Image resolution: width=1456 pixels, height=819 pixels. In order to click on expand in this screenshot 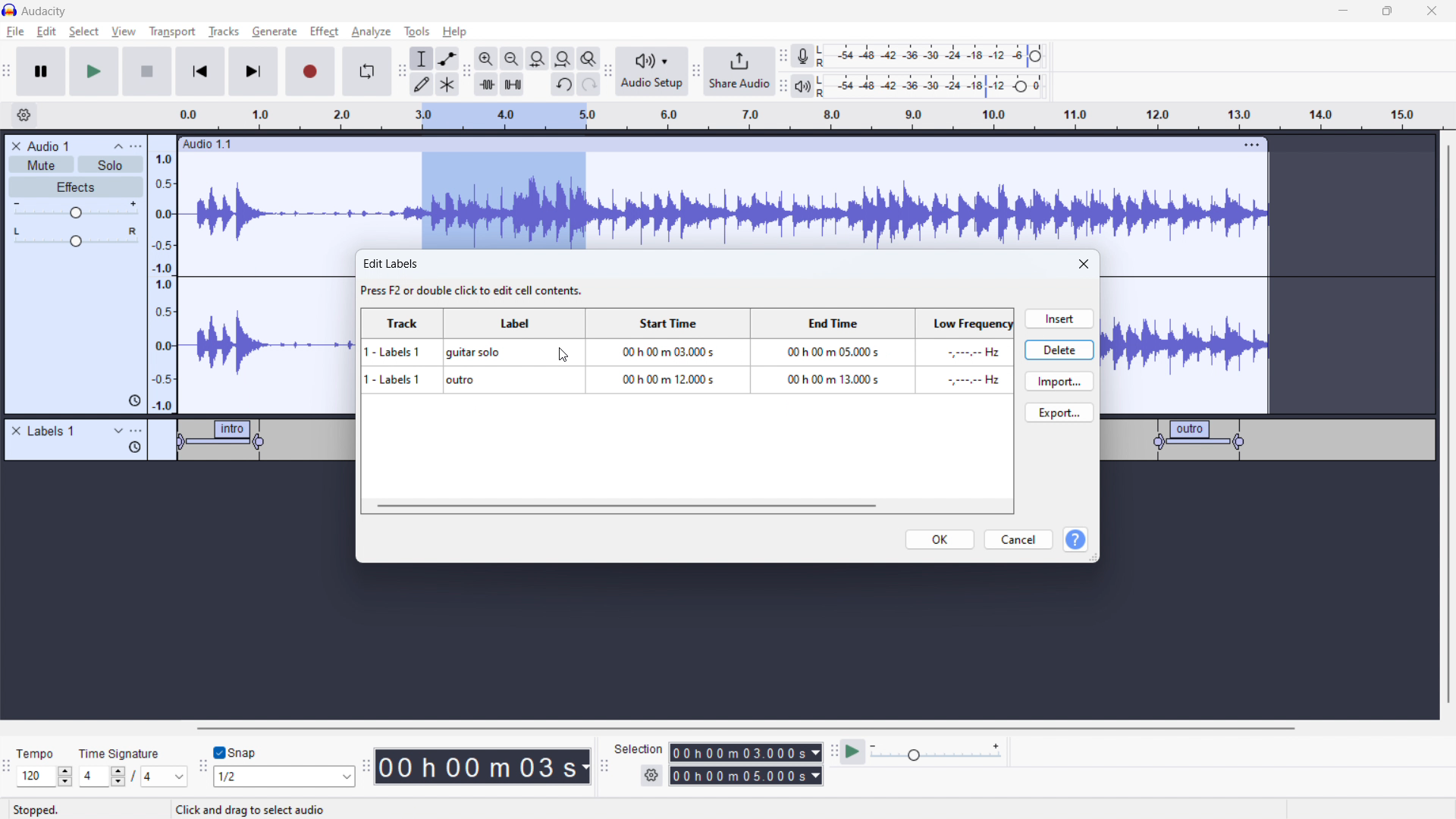, I will do `click(118, 431)`.